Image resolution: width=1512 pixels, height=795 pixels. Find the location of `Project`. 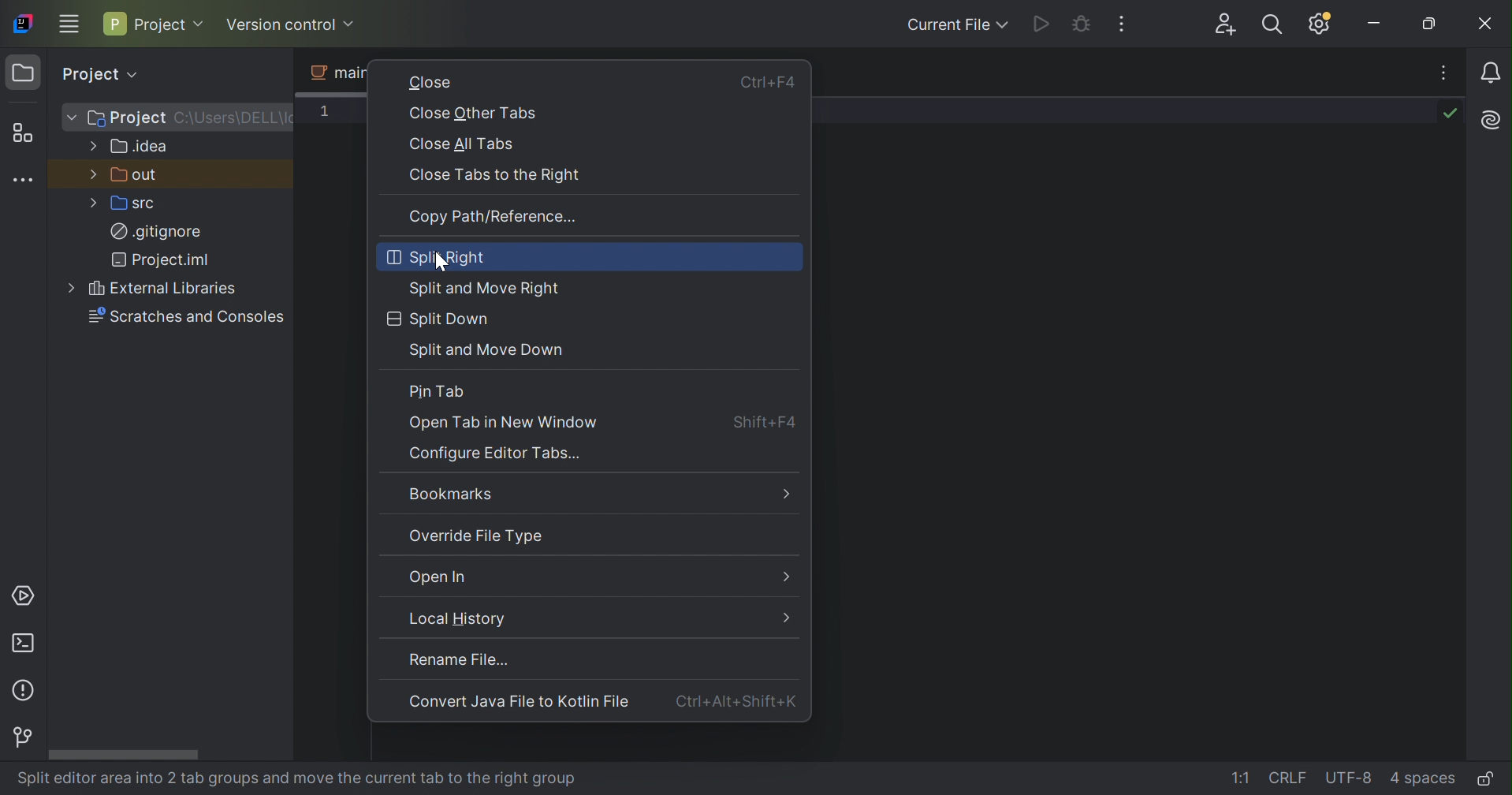

Project is located at coordinates (155, 23).